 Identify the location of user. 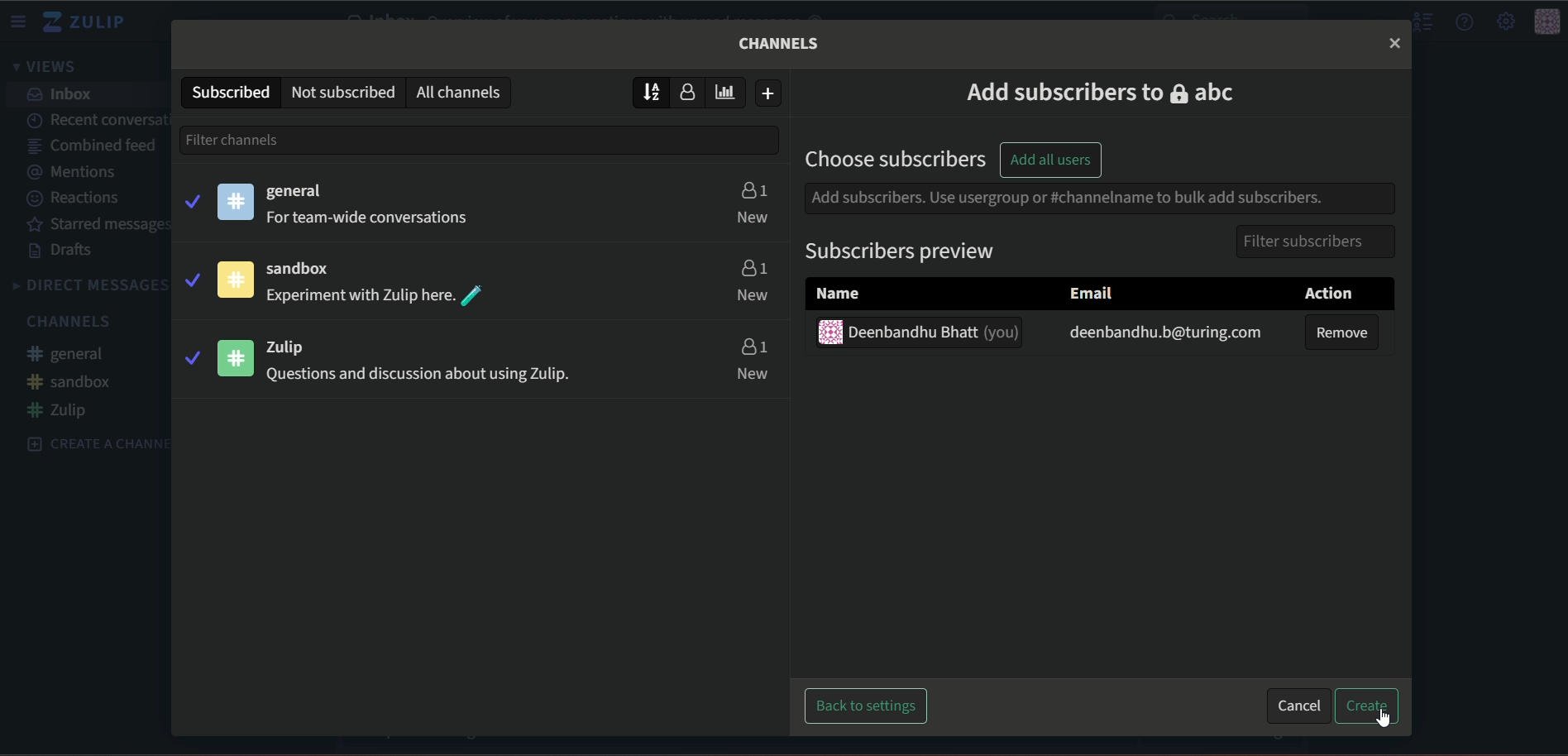
(692, 93).